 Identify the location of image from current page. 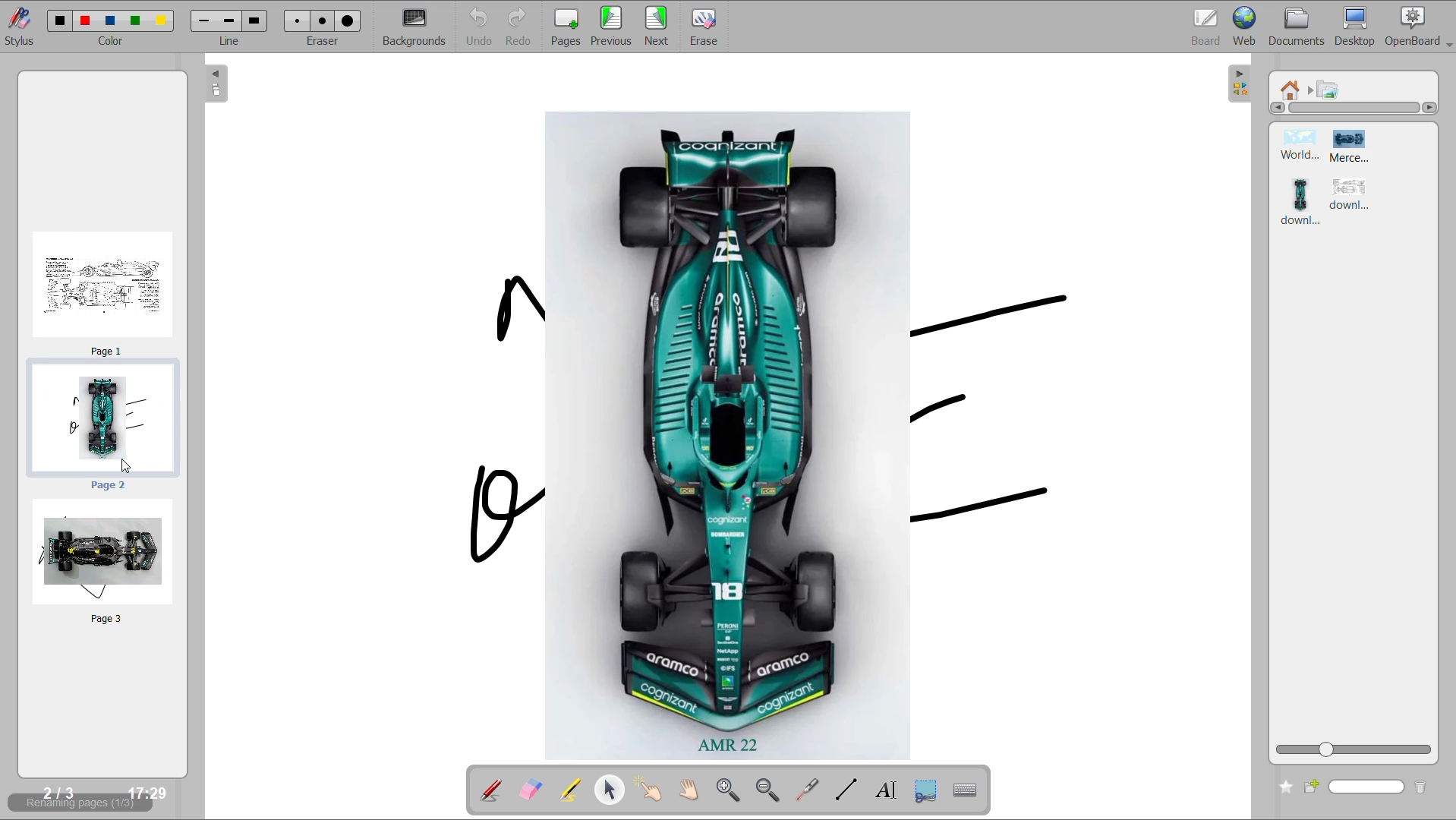
(770, 432).